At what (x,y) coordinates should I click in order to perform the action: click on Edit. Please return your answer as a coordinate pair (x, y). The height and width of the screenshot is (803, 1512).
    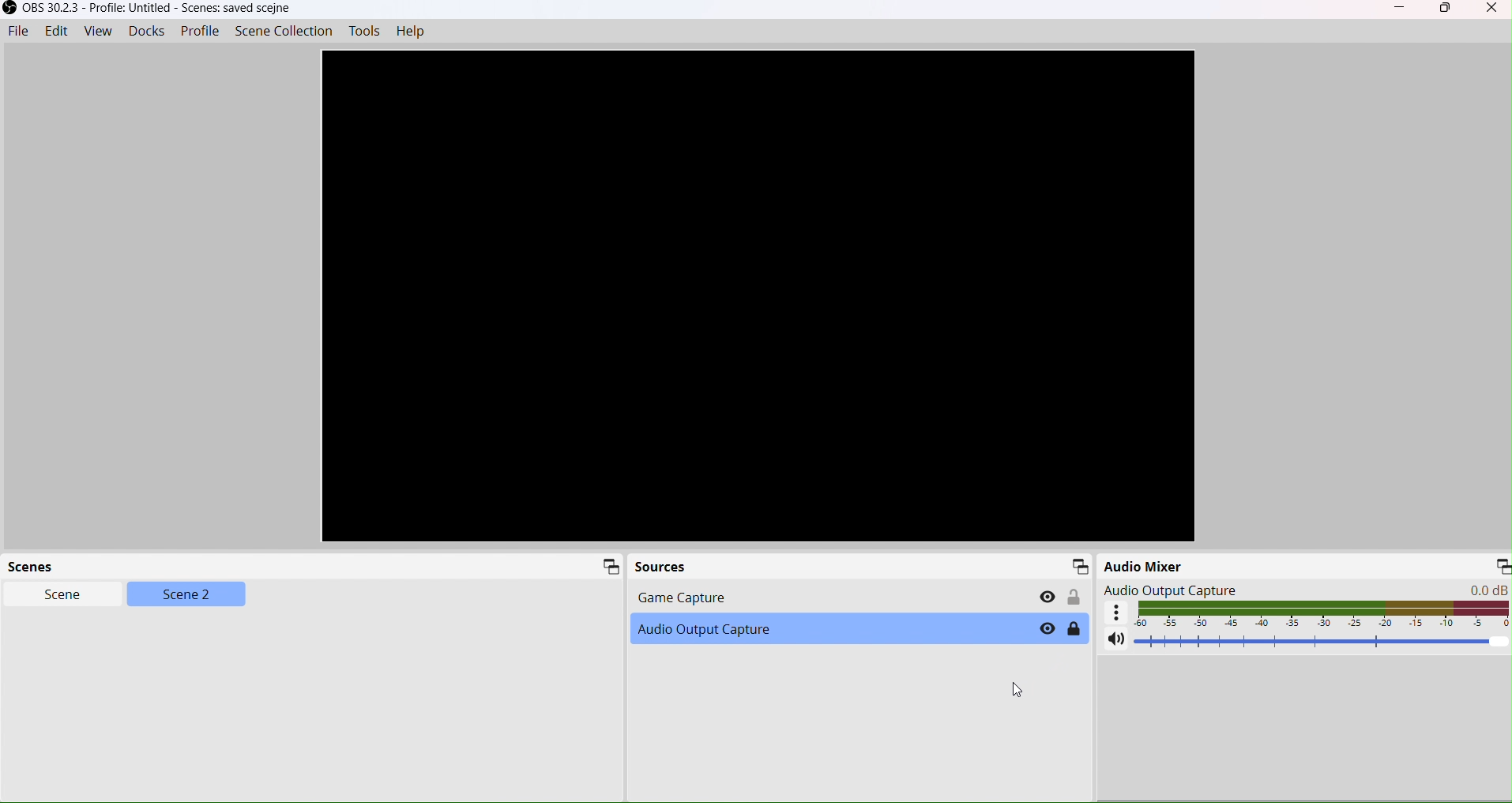
    Looking at the image, I should click on (56, 32).